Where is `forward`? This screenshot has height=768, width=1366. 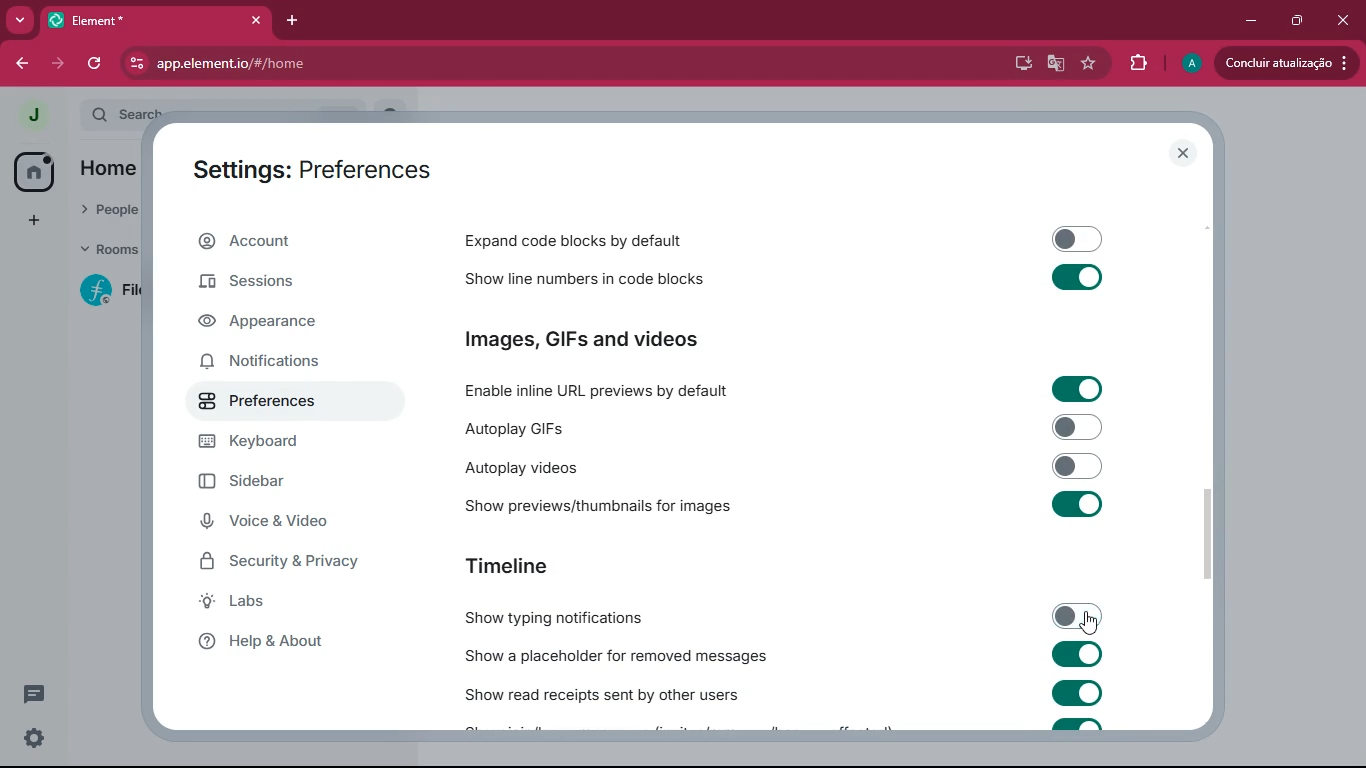
forward is located at coordinates (60, 65).